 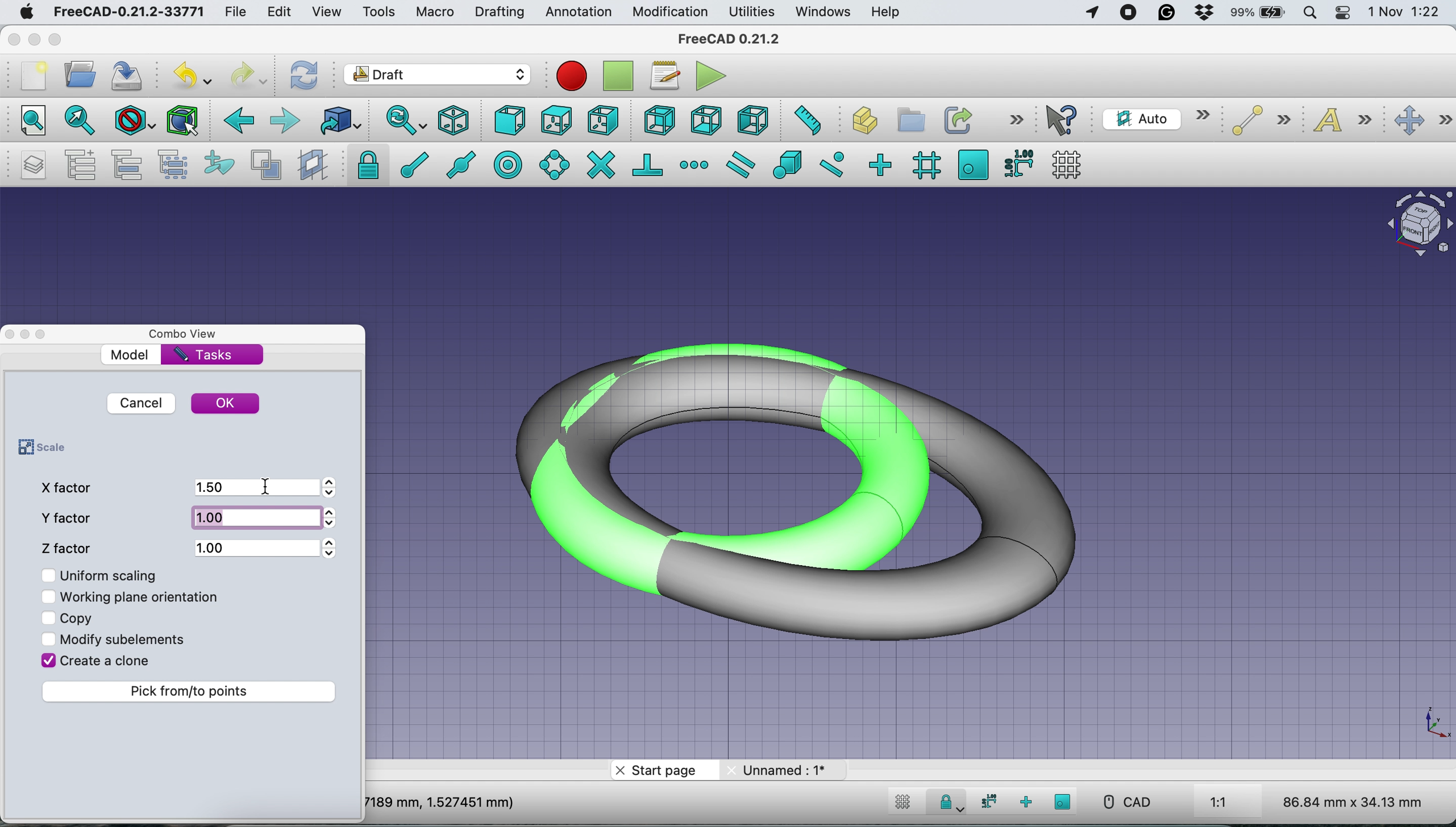 What do you see at coordinates (47, 573) in the screenshot?
I see `Checkbox` at bounding box center [47, 573].